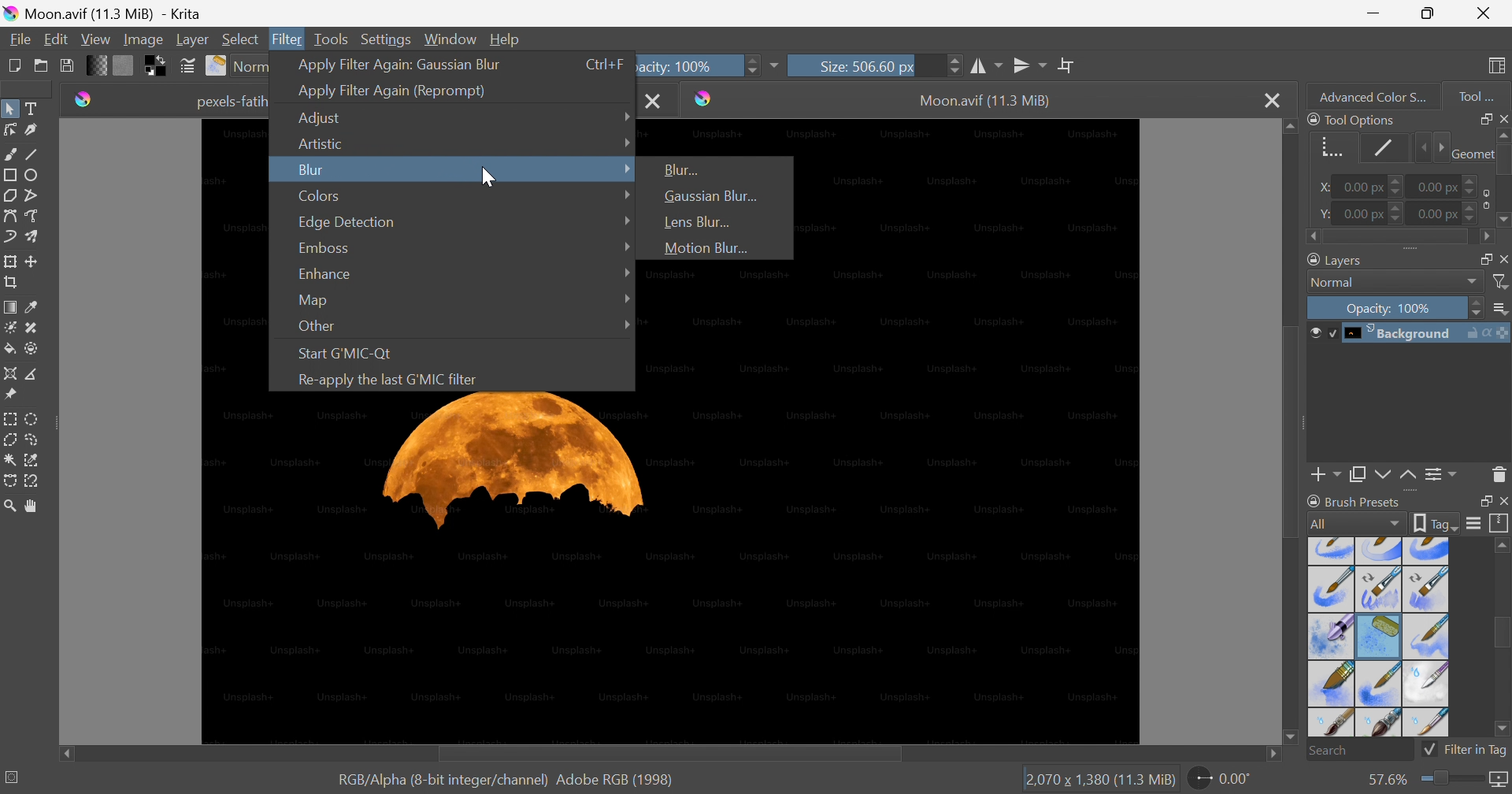  Describe the element at coordinates (1354, 525) in the screenshot. I see `All` at that location.